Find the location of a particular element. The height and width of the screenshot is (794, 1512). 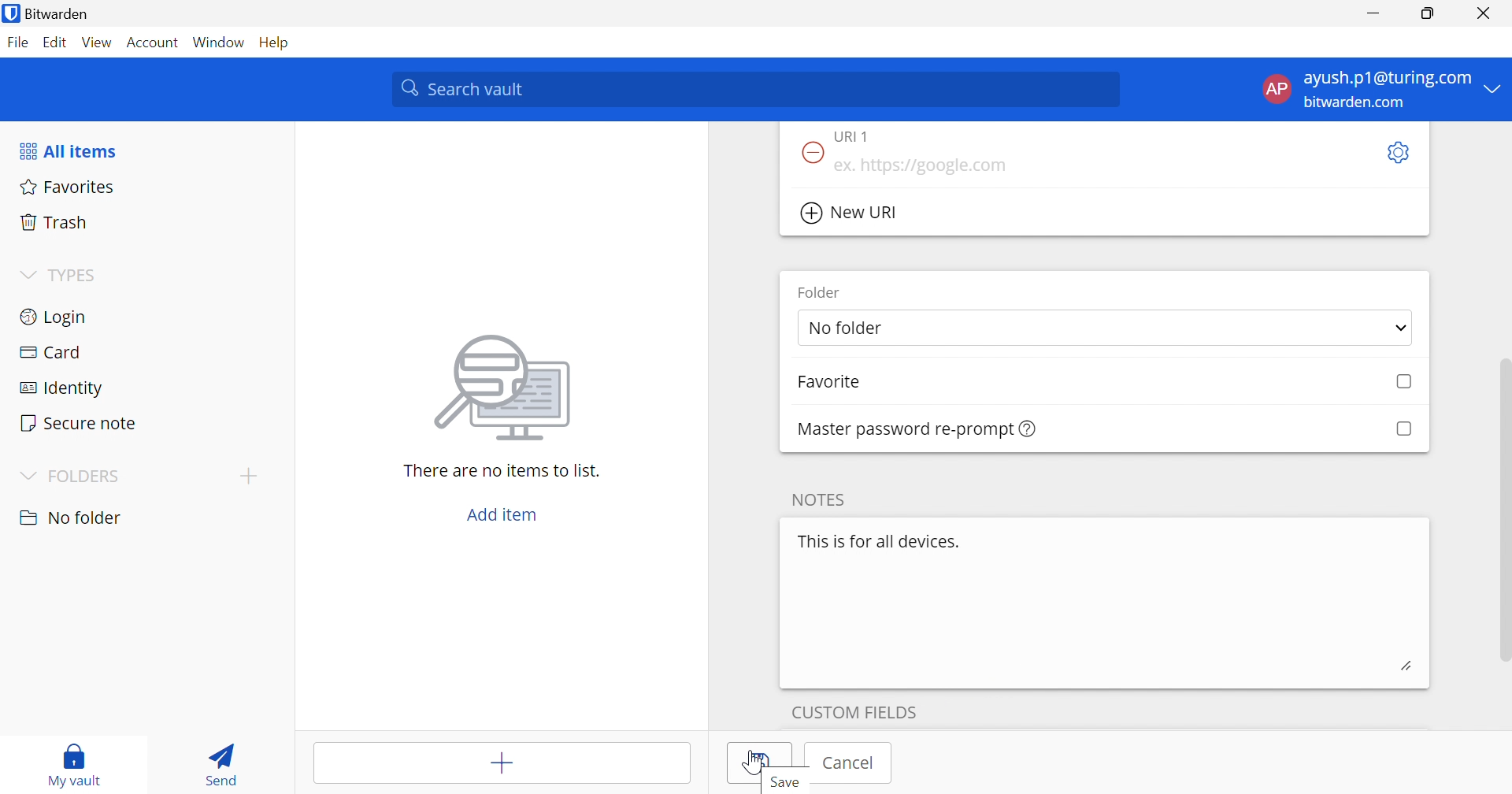

Settings is located at coordinates (1396, 154).